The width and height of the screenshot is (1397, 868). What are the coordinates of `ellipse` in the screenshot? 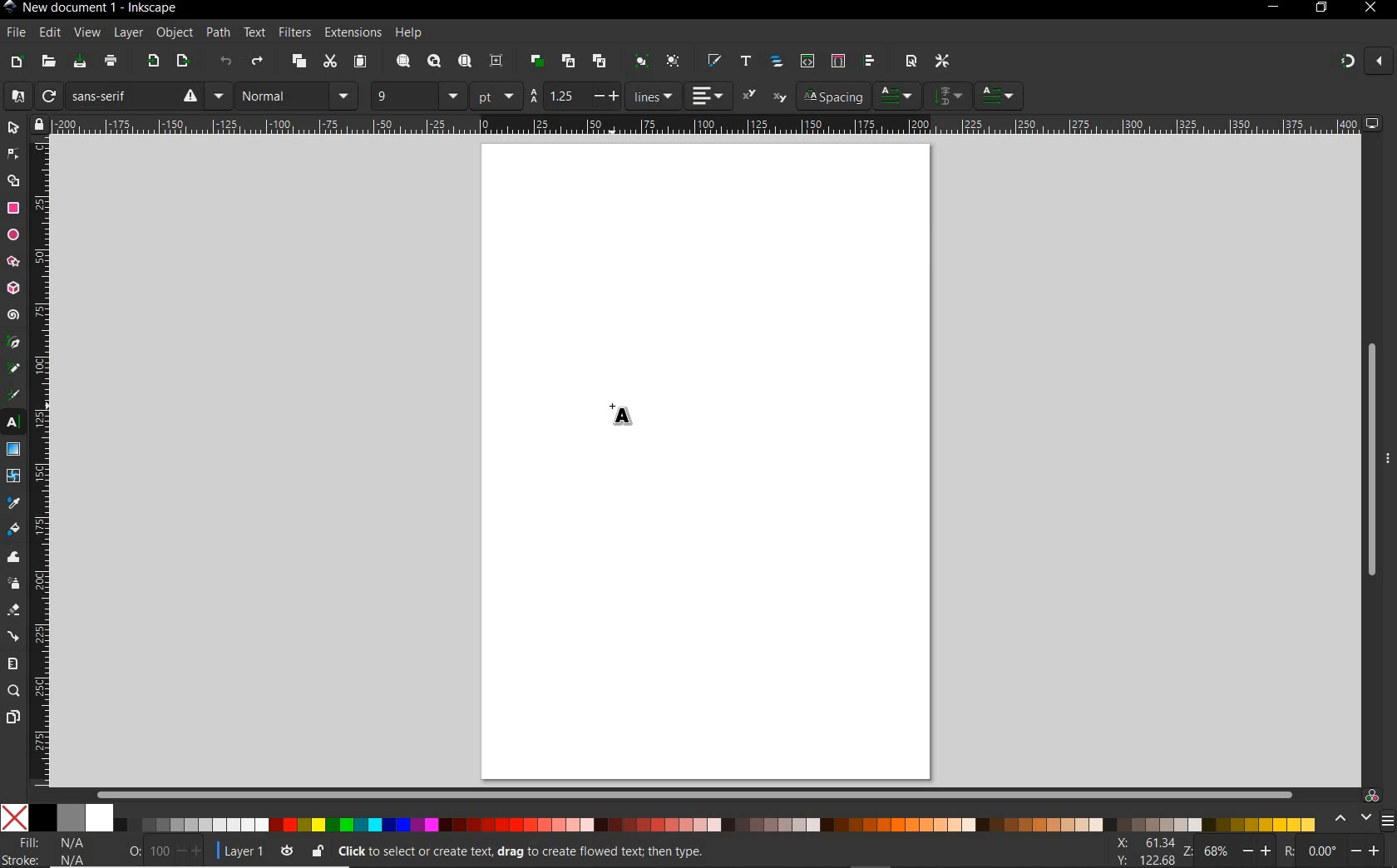 It's located at (13, 235).